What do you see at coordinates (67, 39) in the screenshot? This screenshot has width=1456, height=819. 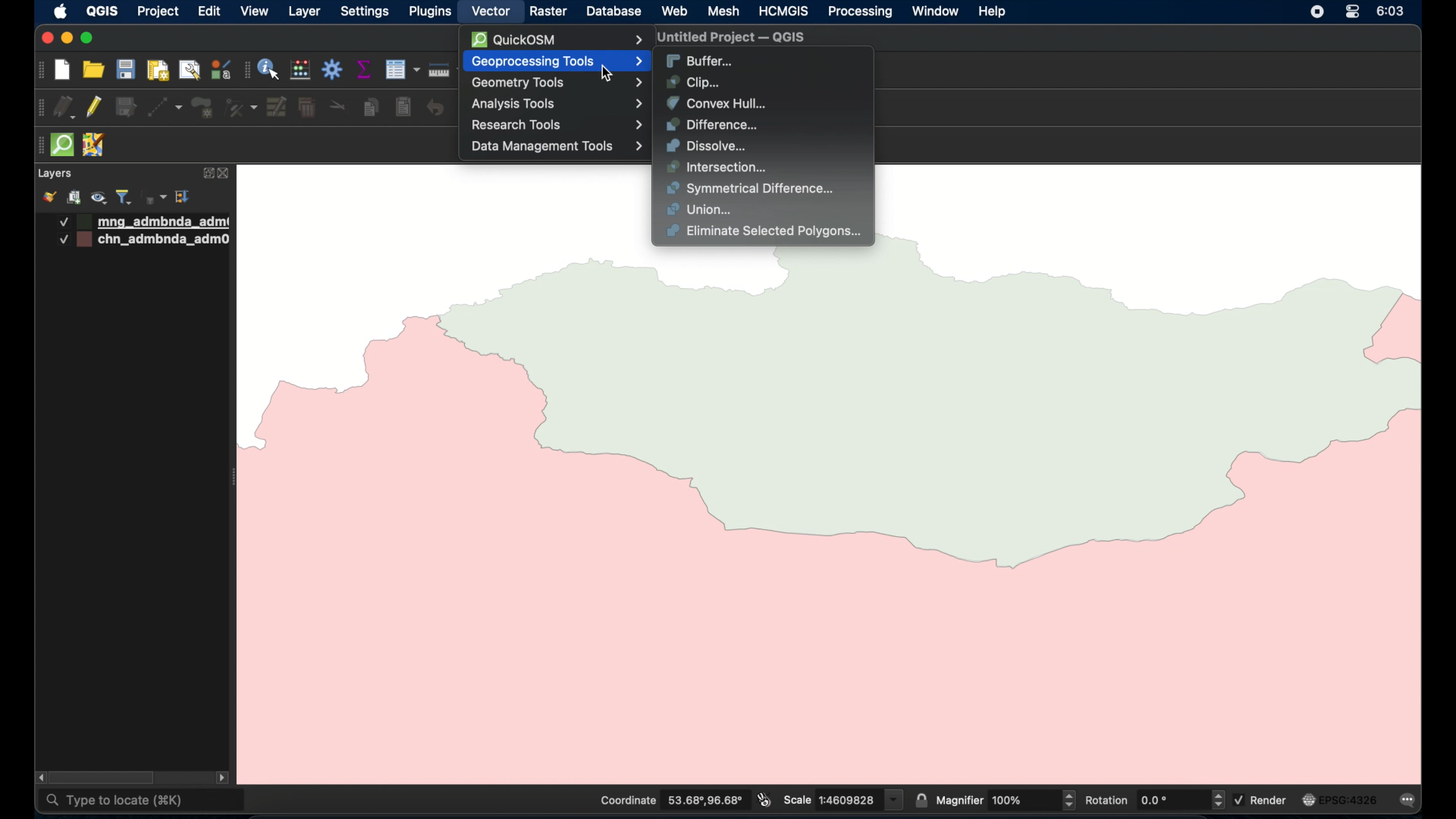 I see `minimize` at bounding box center [67, 39].